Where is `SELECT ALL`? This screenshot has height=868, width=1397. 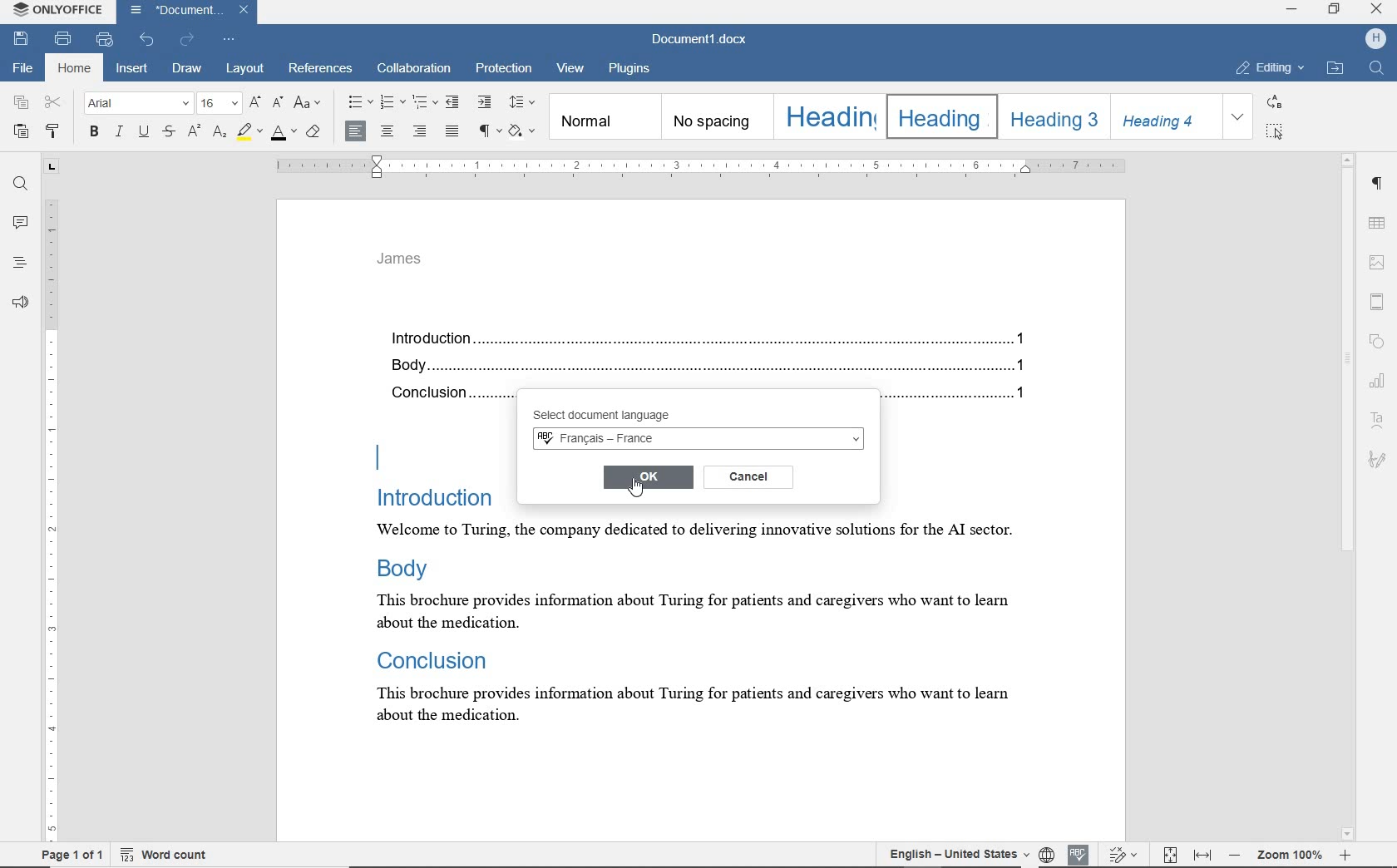 SELECT ALL is located at coordinates (1276, 131).